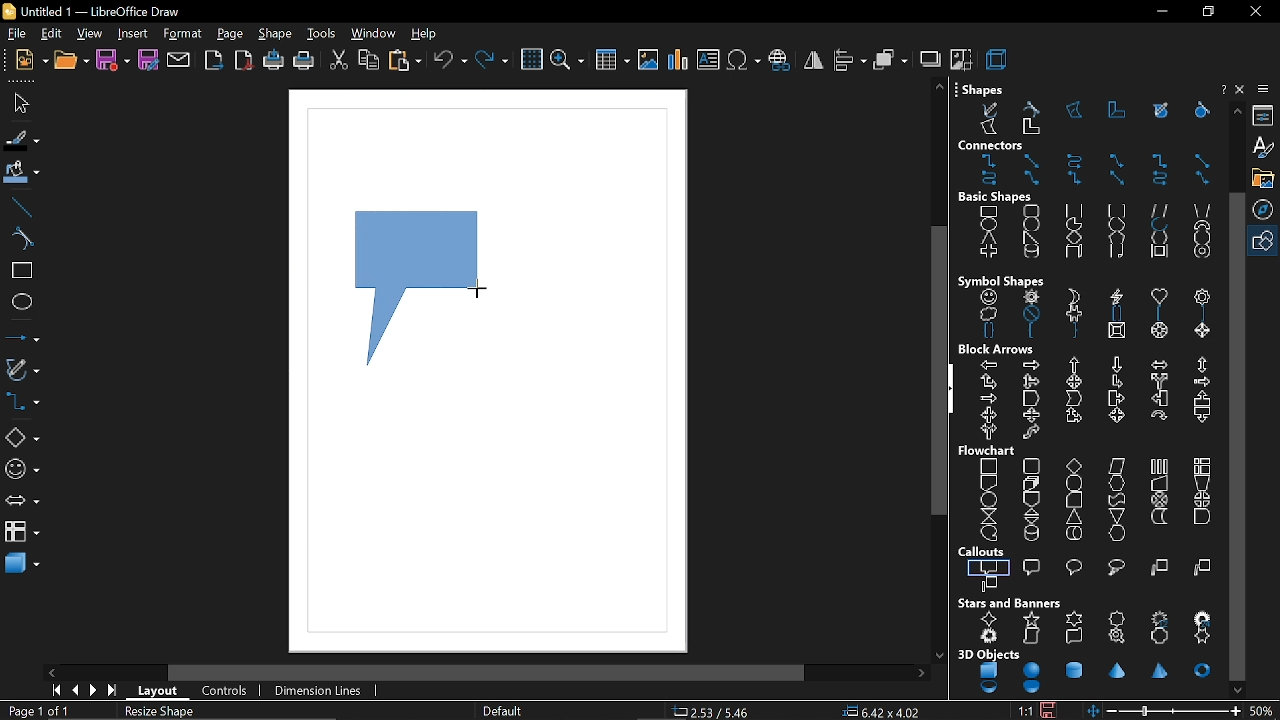  I want to click on save, so click(1050, 710).